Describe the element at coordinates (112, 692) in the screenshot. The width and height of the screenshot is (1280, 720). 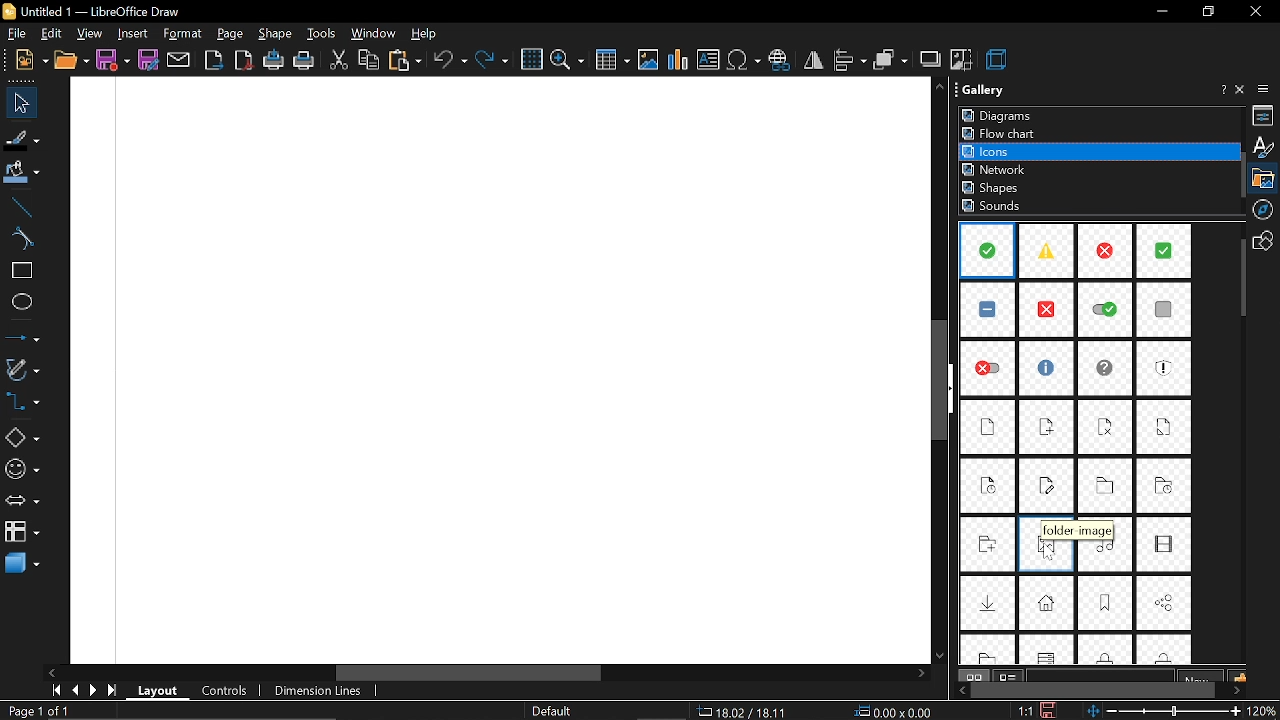
I see `go to last page` at that location.